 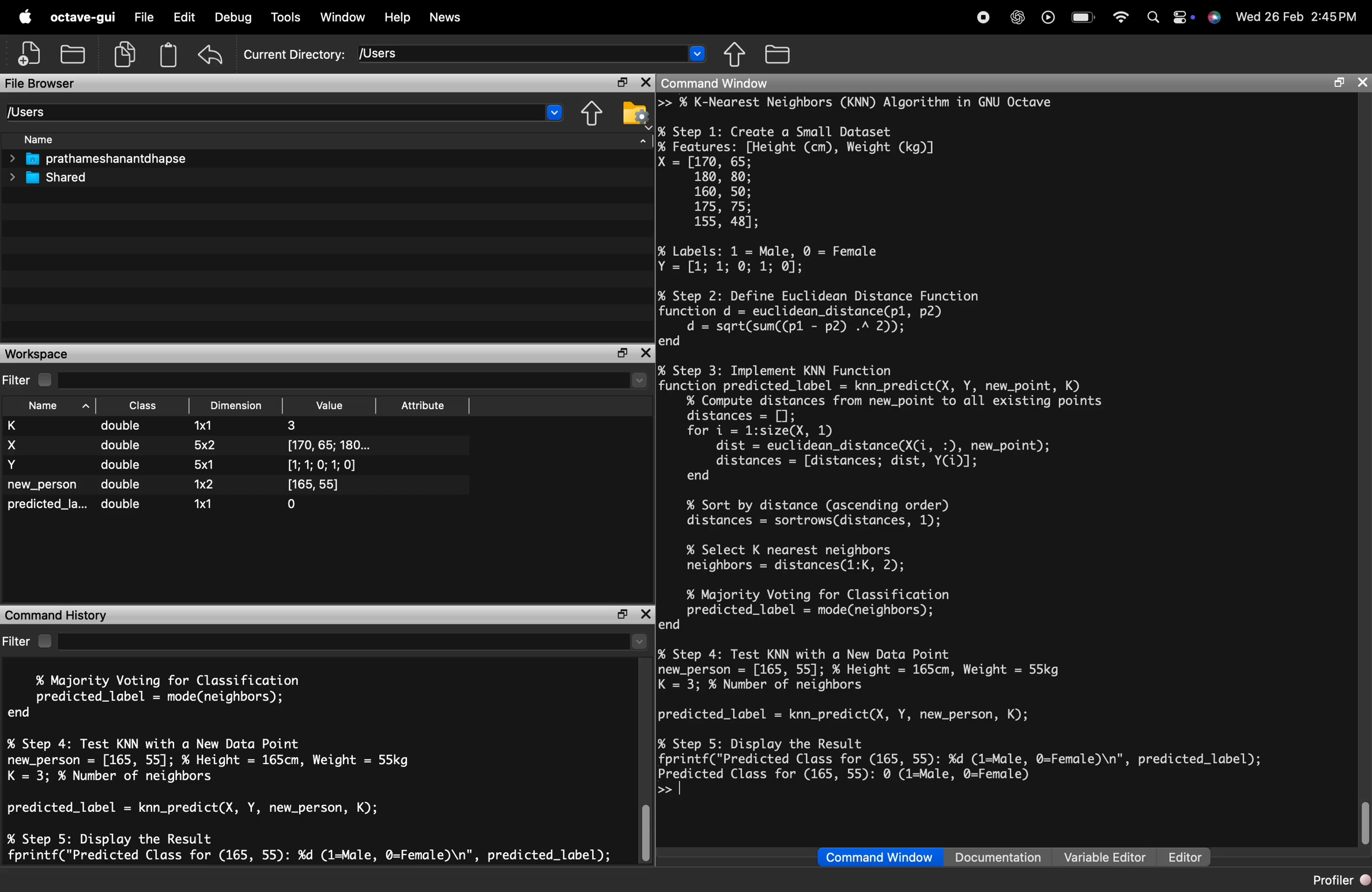 I want to click on Dimension, so click(x=239, y=406).